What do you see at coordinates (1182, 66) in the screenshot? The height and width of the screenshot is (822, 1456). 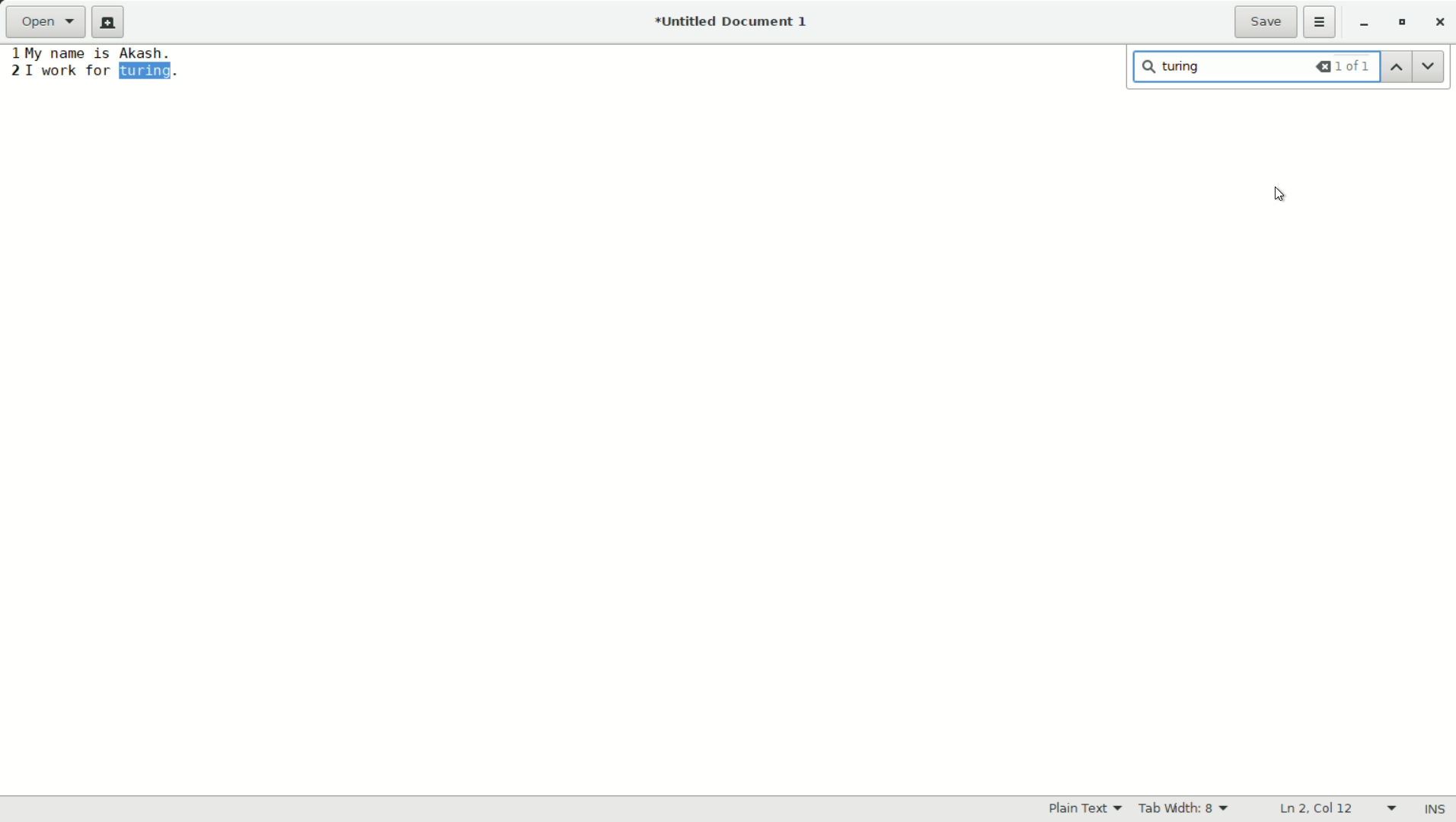 I see `turing` at bounding box center [1182, 66].